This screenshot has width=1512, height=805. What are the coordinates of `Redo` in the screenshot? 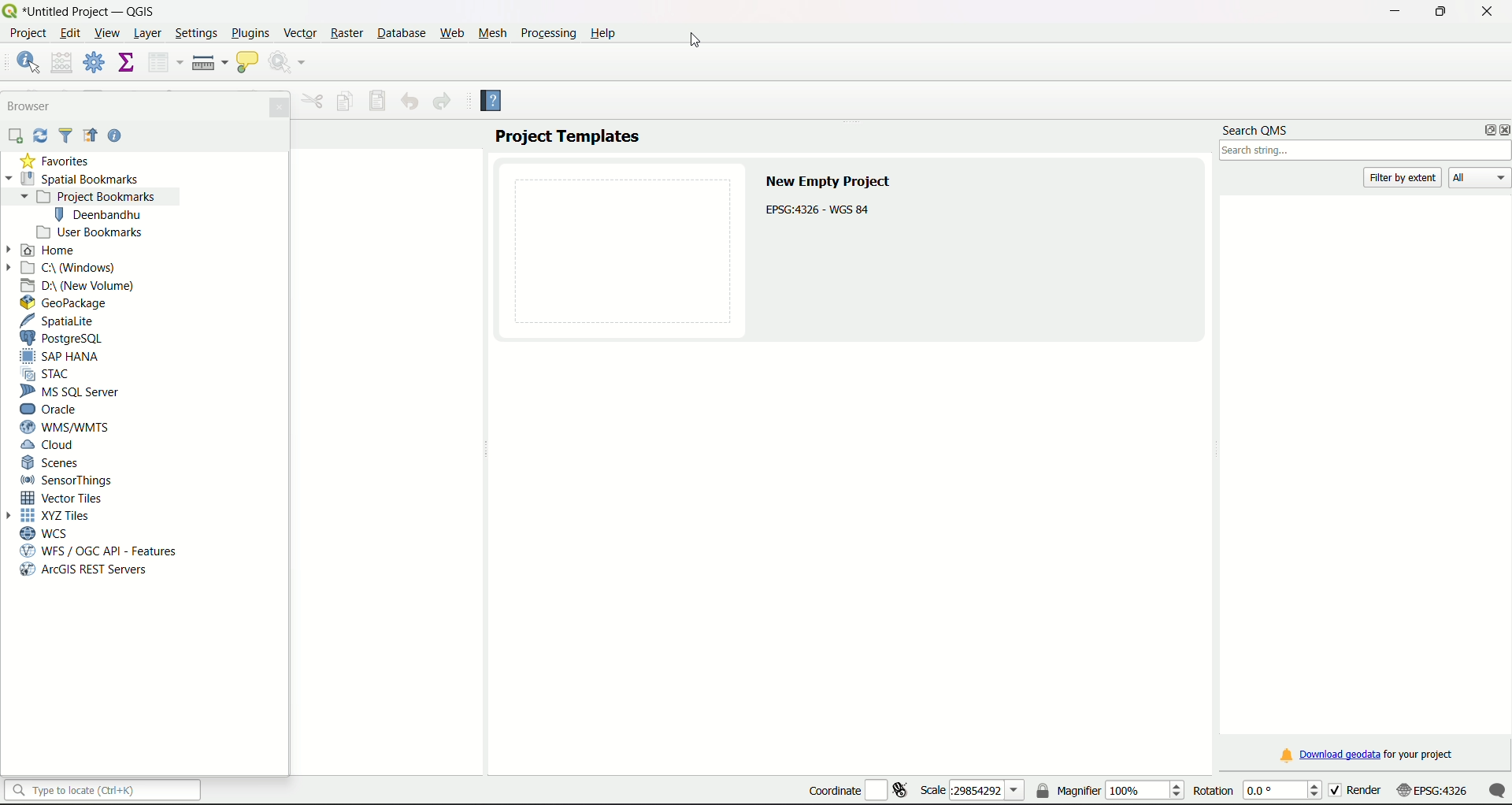 It's located at (442, 102).